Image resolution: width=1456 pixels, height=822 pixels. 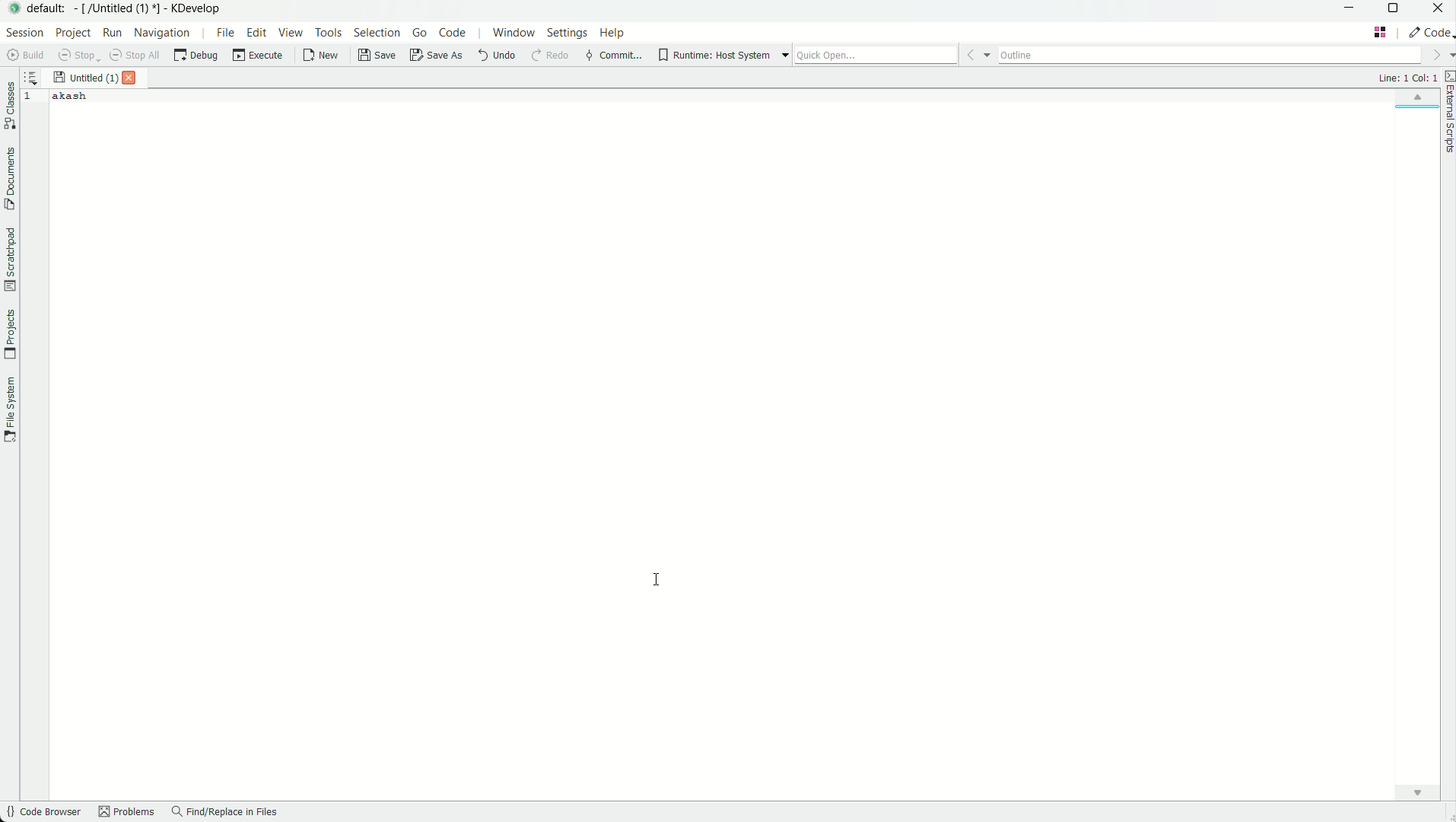 What do you see at coordinates (1350, 9) in the screenshot?
I see `minimize` at bounding box center [1350, 9].